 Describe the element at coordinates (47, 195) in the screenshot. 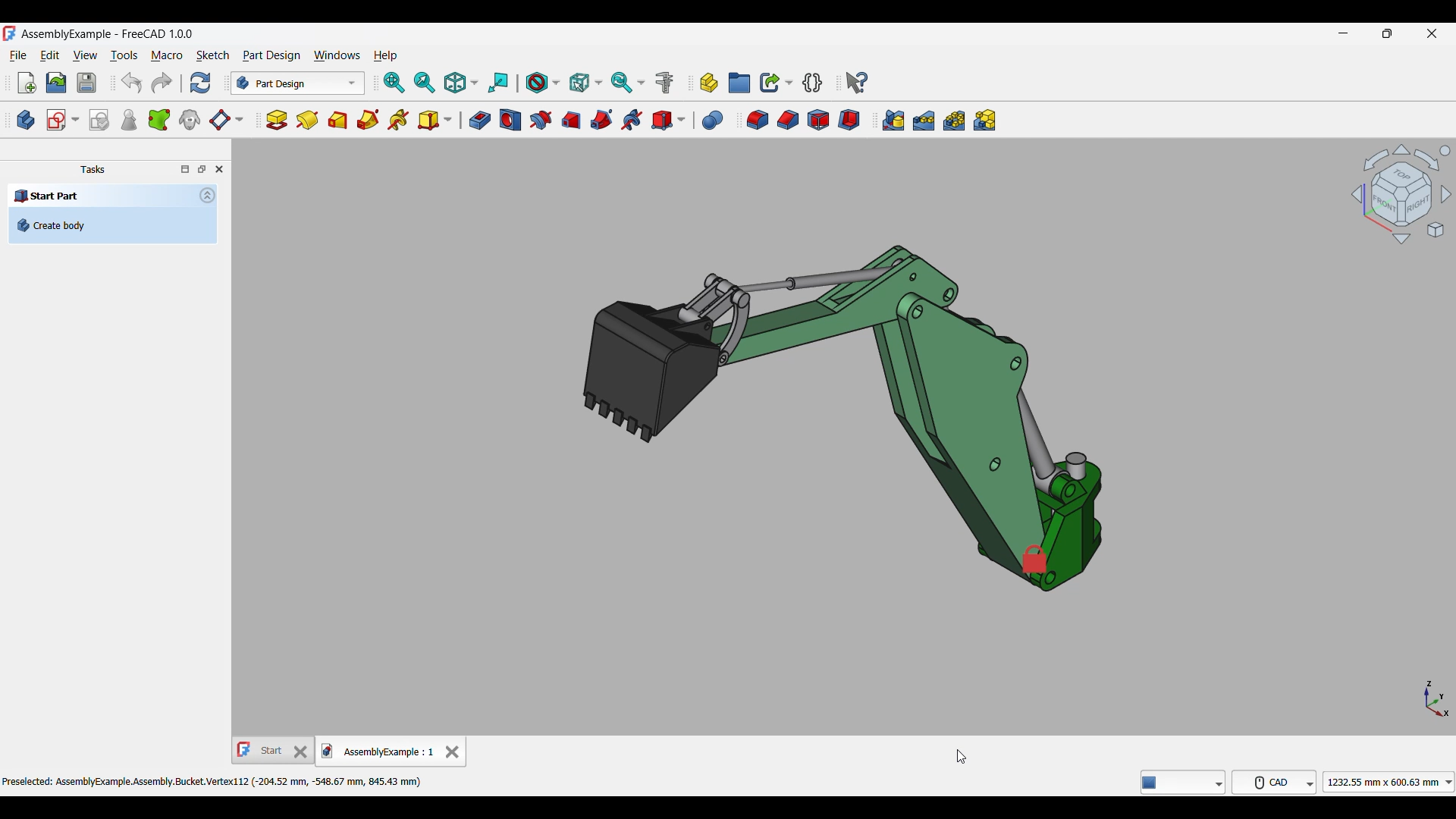

I see `Start Part` at that location.